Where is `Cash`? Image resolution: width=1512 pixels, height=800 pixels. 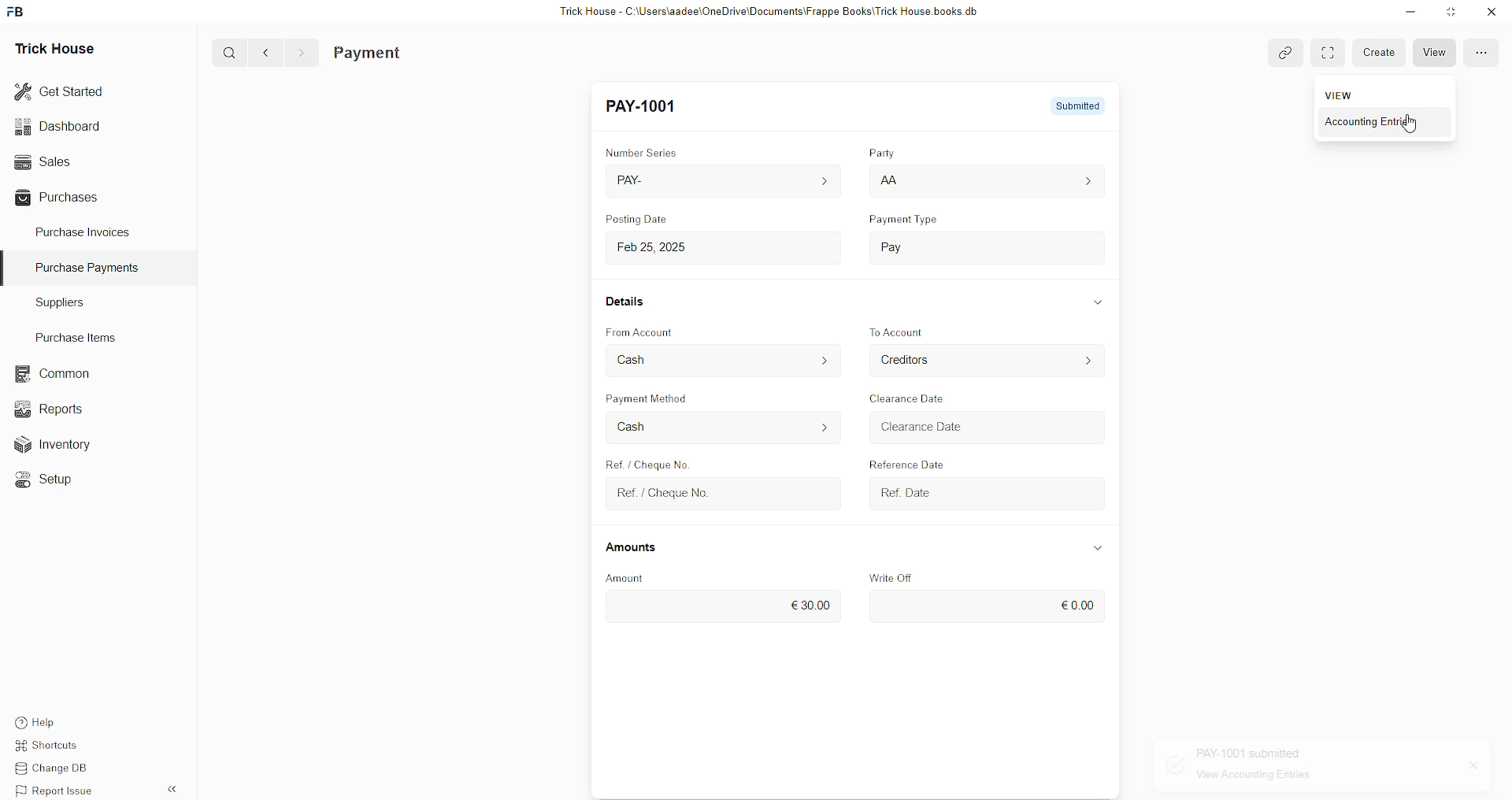
Cash is located at coordinates (636, 426).